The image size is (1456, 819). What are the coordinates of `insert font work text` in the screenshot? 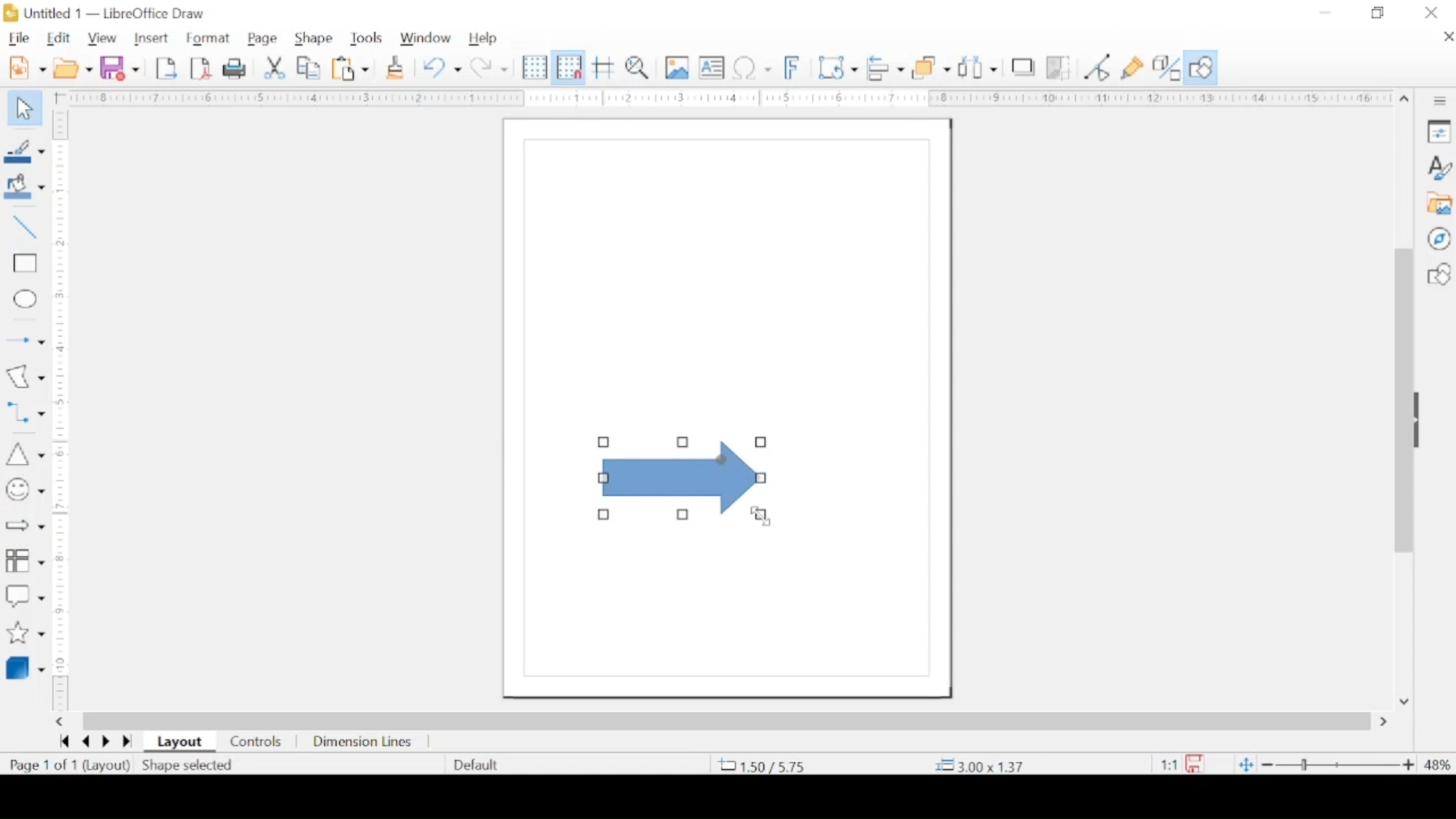 It's located at (792, 67).